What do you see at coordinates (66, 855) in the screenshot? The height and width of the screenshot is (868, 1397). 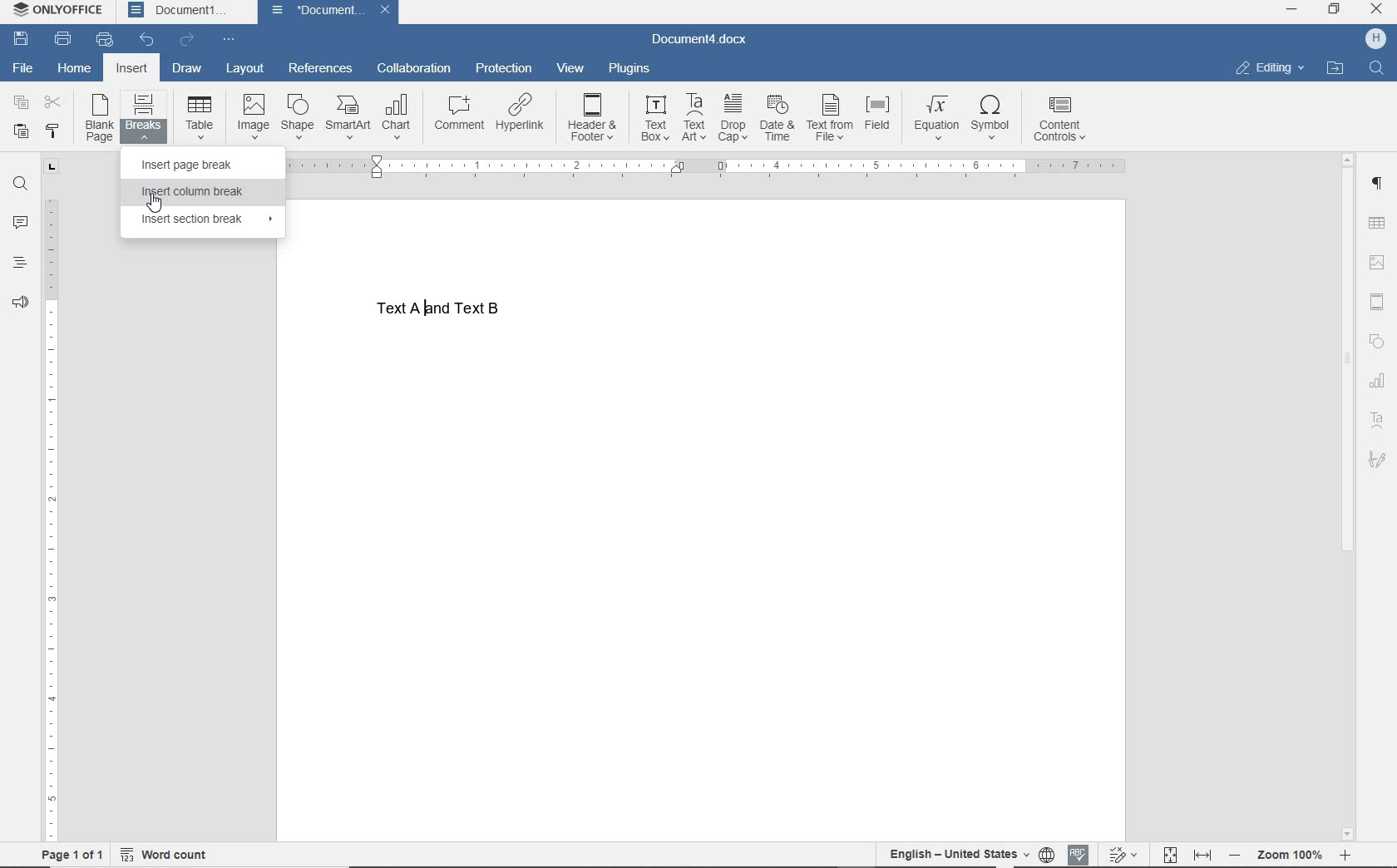 I see `PAGE 1 OF 1` at bounding box center [66, 855].